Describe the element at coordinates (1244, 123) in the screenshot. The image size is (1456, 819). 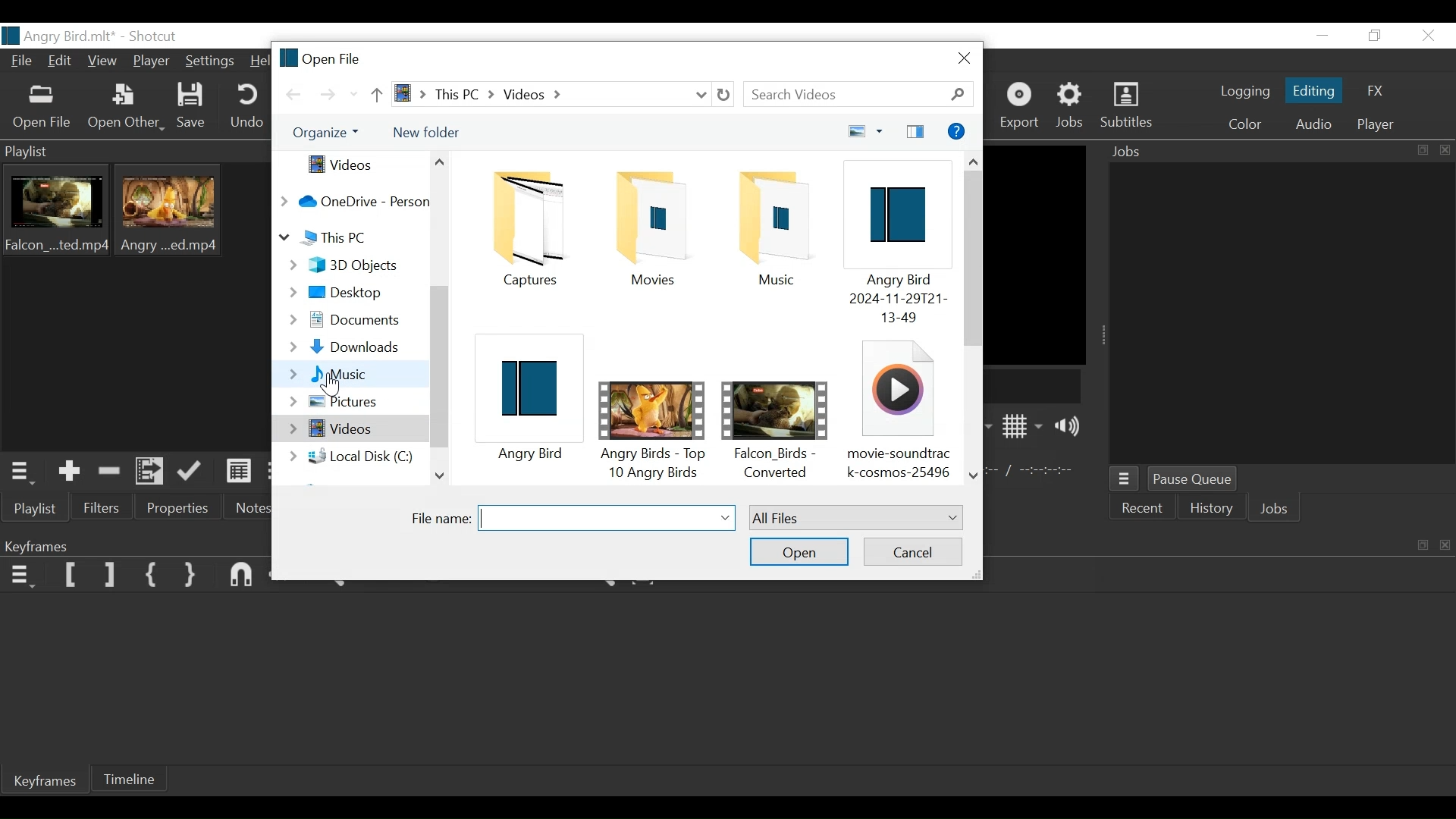
I see `Color` at that location.